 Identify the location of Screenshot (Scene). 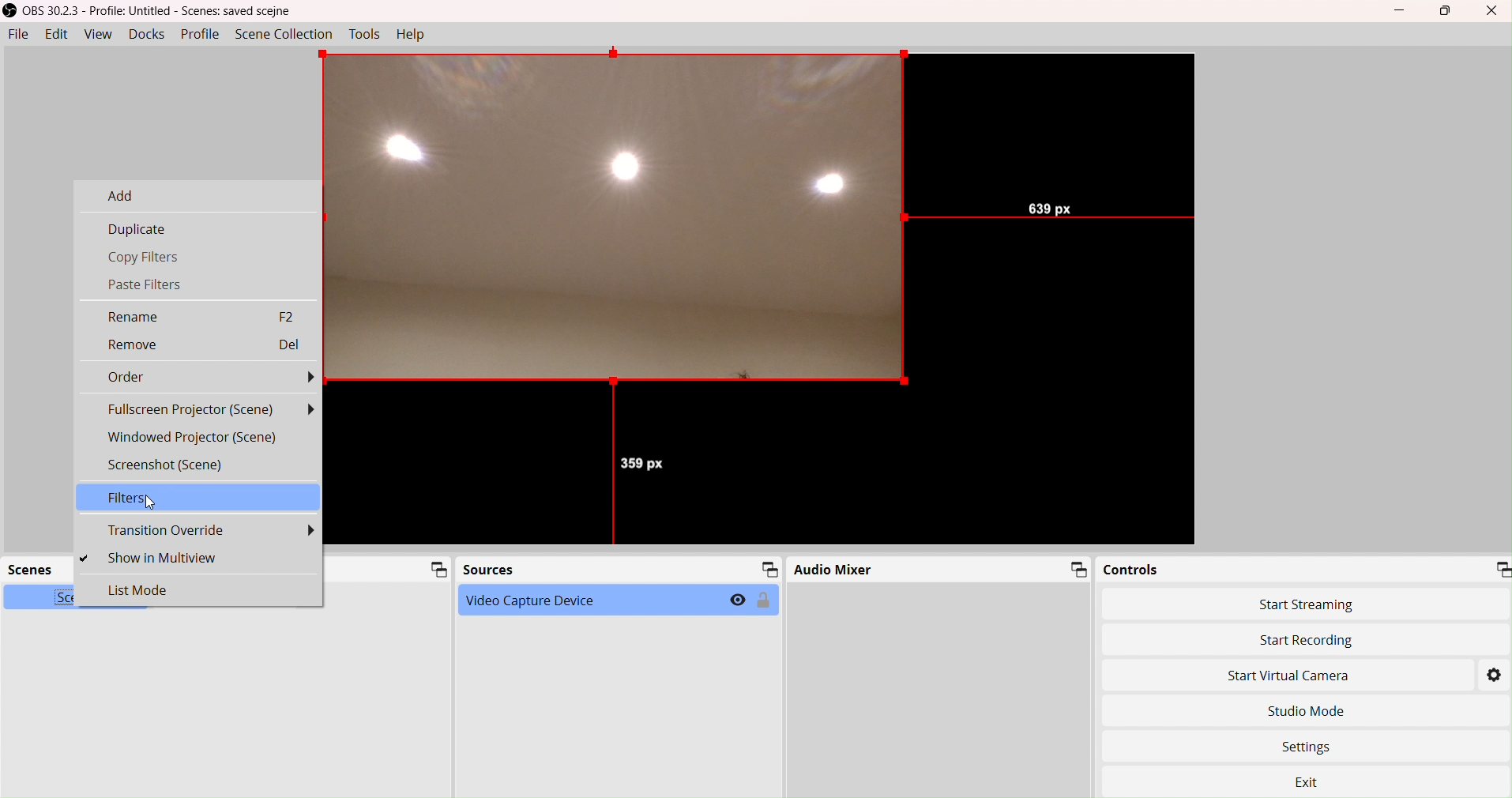
(173, 465).